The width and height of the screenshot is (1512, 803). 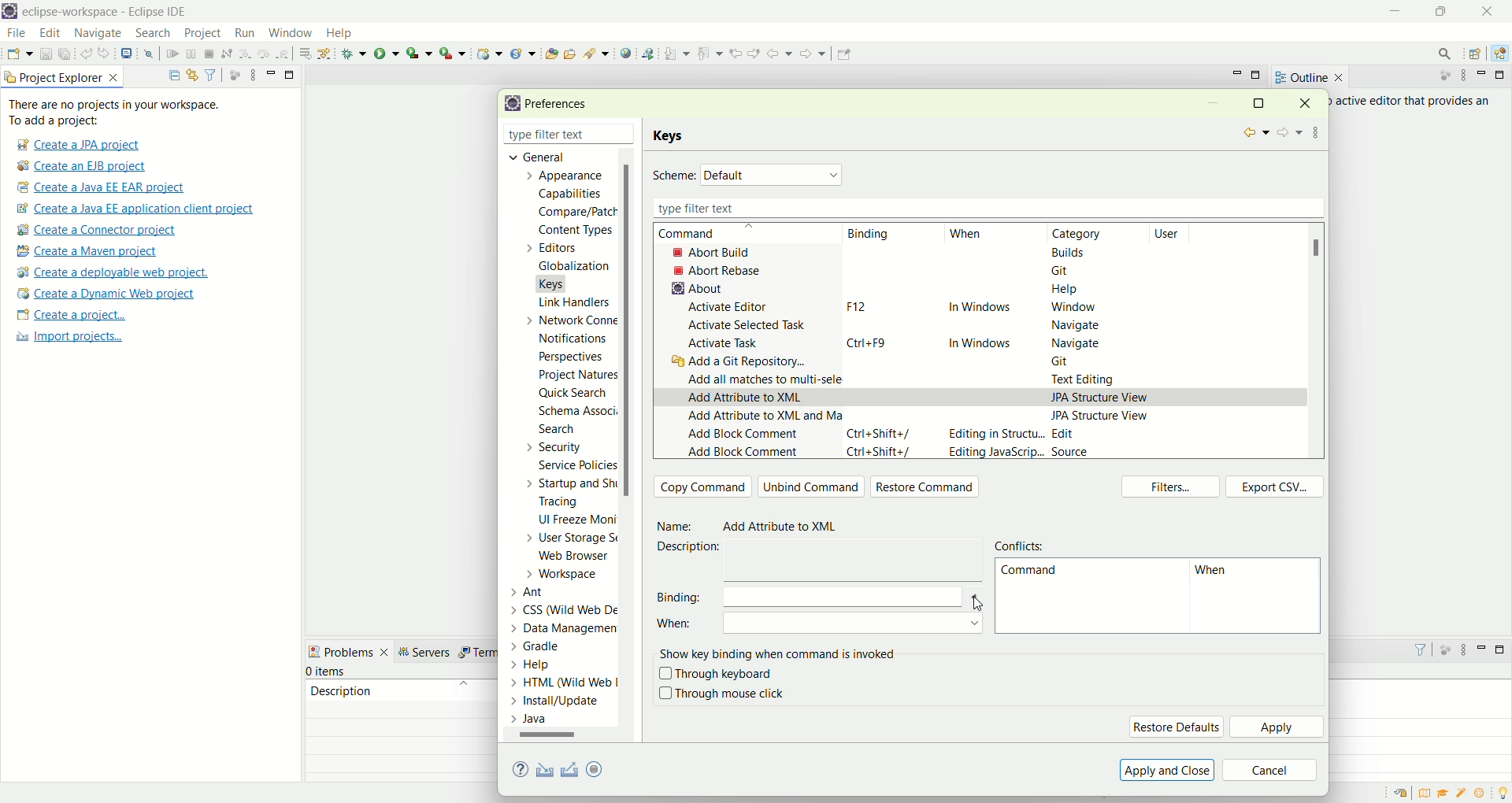 I want to click on project natures, so click(x=575, y=378).